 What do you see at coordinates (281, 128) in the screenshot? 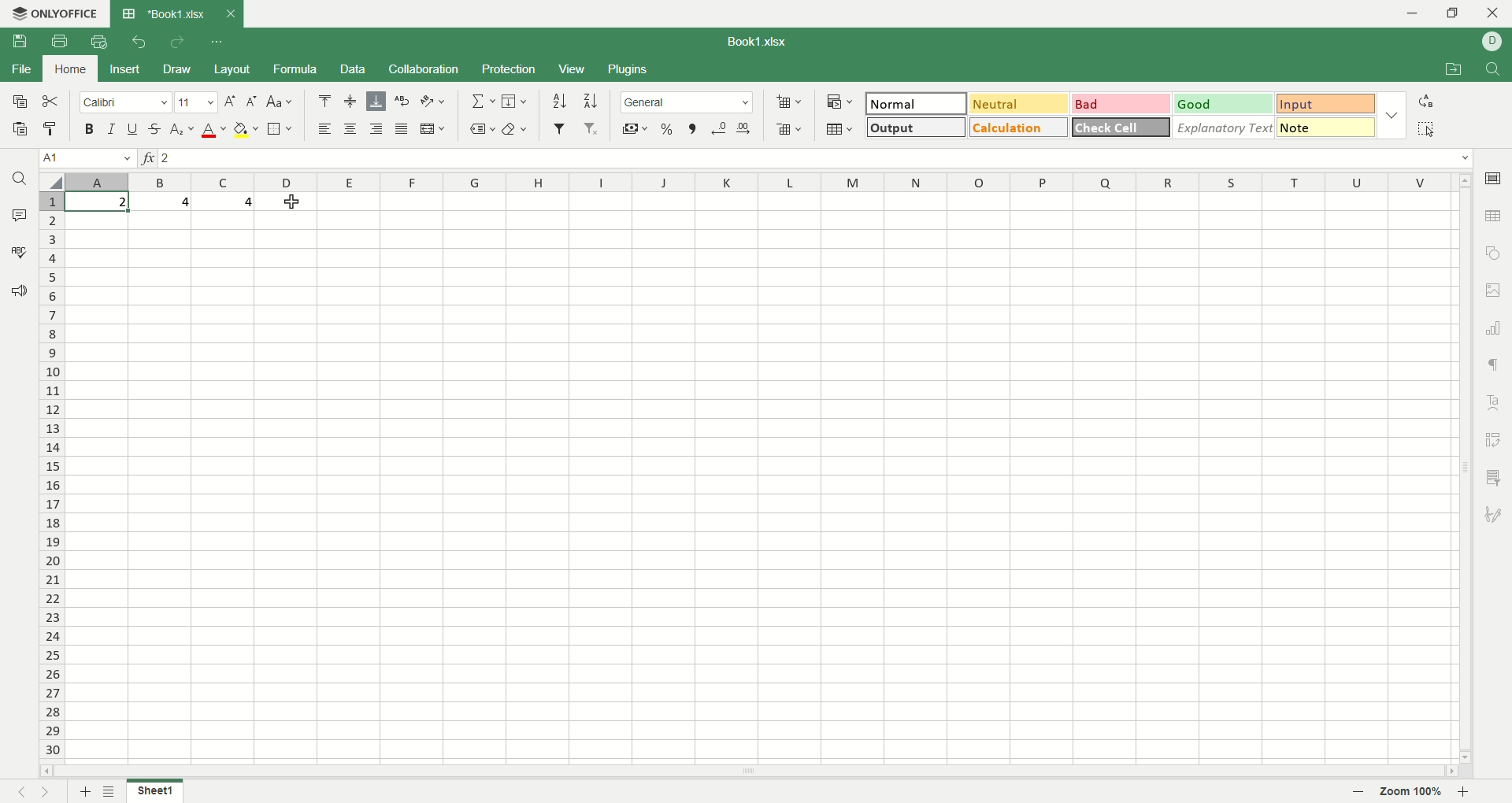
I see `border` at bounding box center [281, 128].